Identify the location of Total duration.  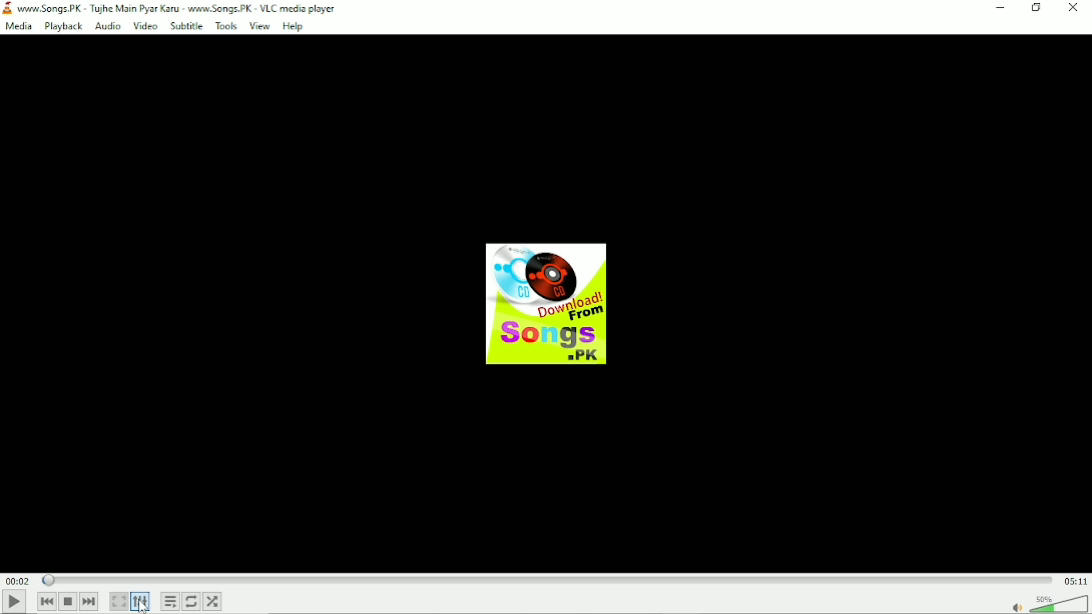
(1076, 581).